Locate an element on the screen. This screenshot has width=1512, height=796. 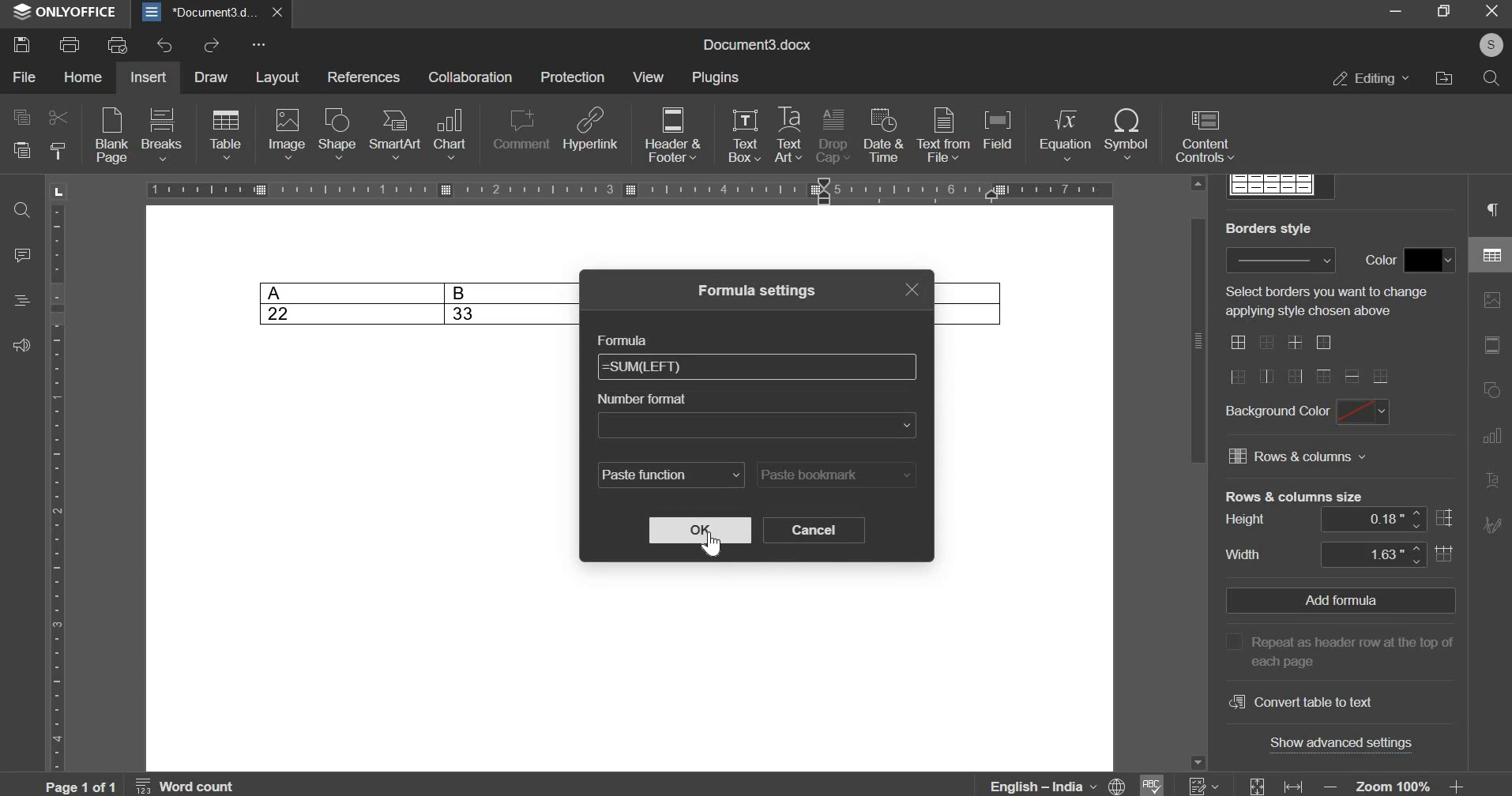
customize quick access is located at coordinates (258, 45).